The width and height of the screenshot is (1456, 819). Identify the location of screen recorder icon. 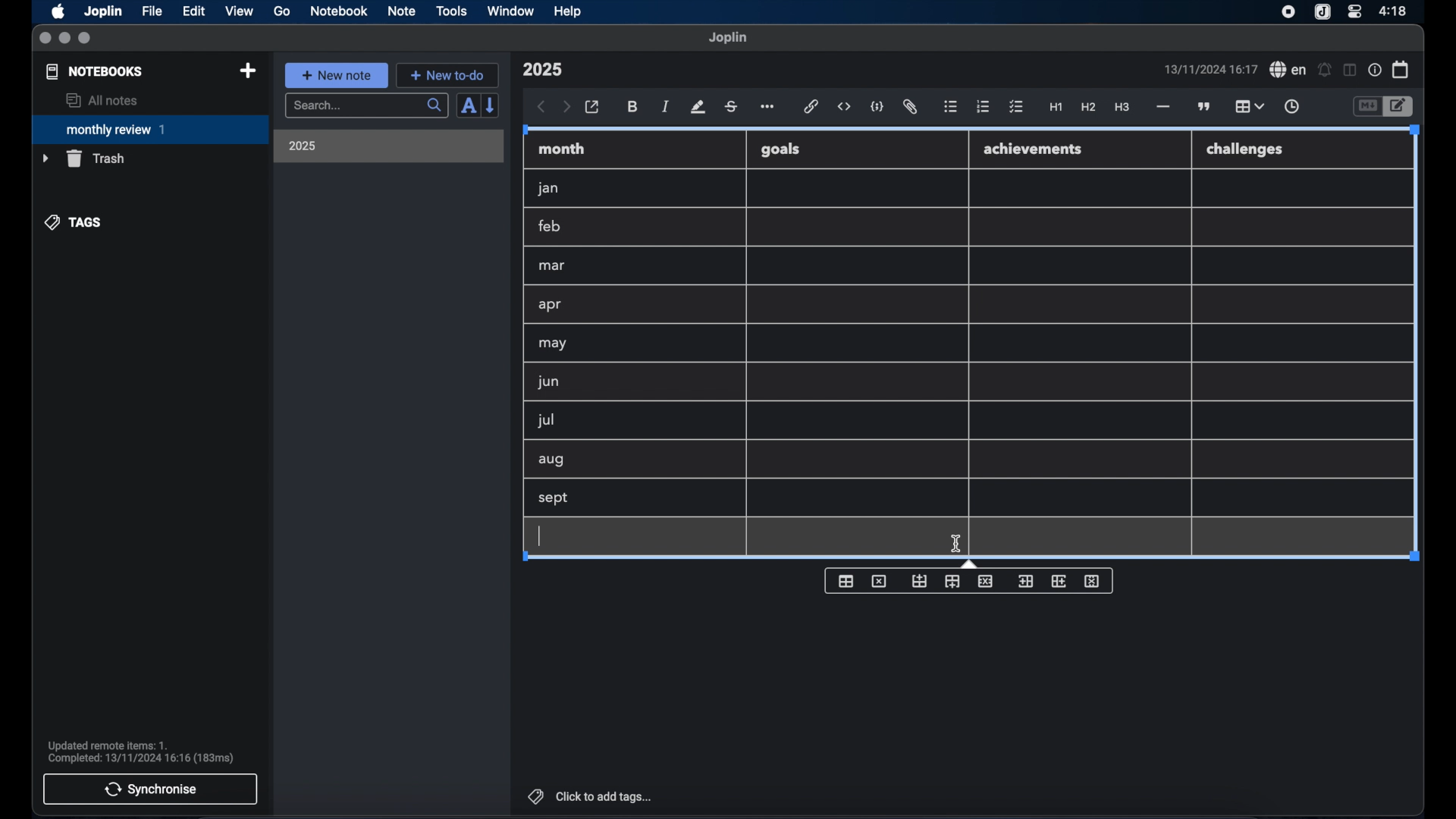
(1288, 12).